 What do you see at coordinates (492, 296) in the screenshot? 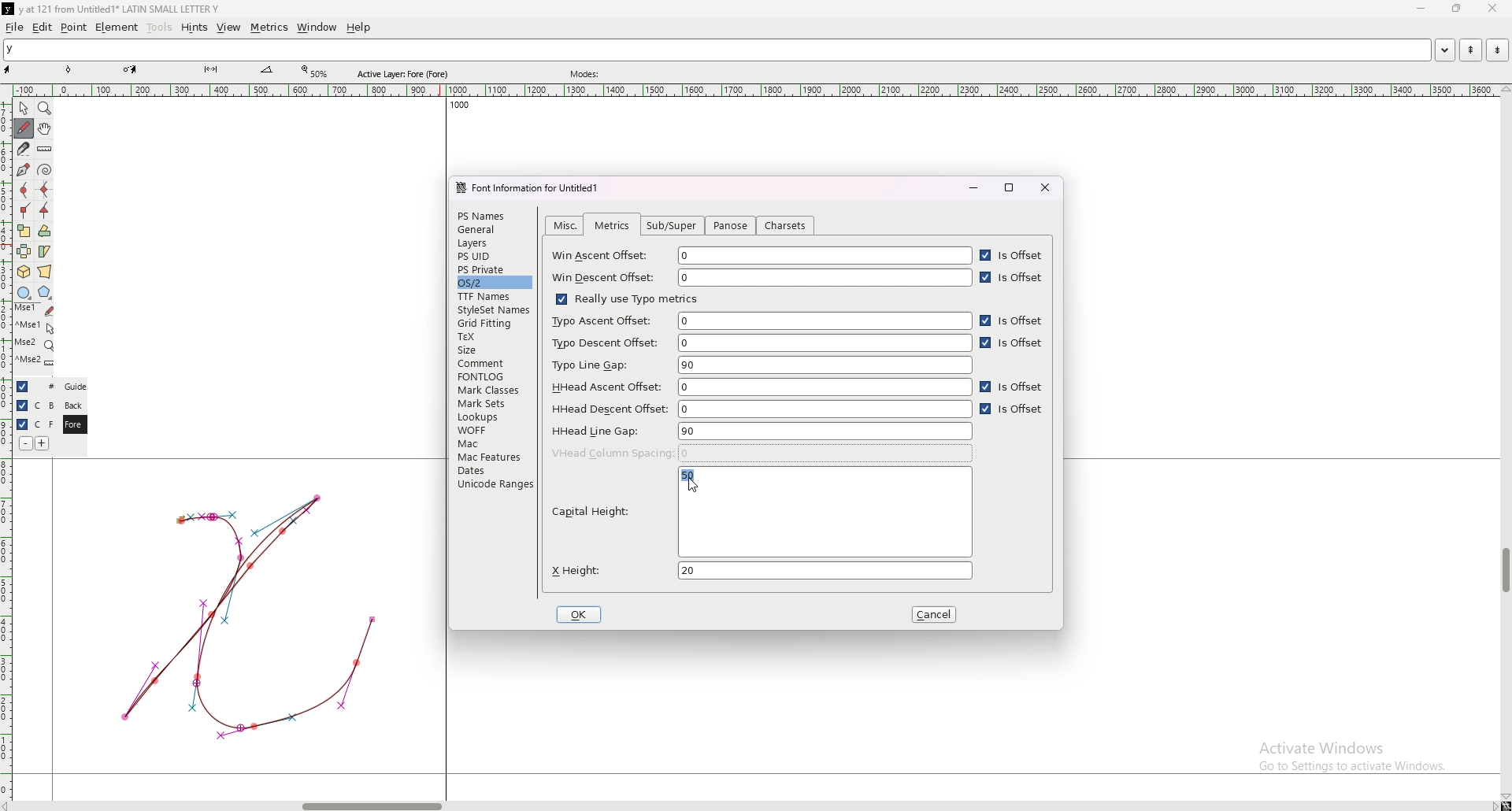
I see `ttf frames` at bounding box center [492, 296].